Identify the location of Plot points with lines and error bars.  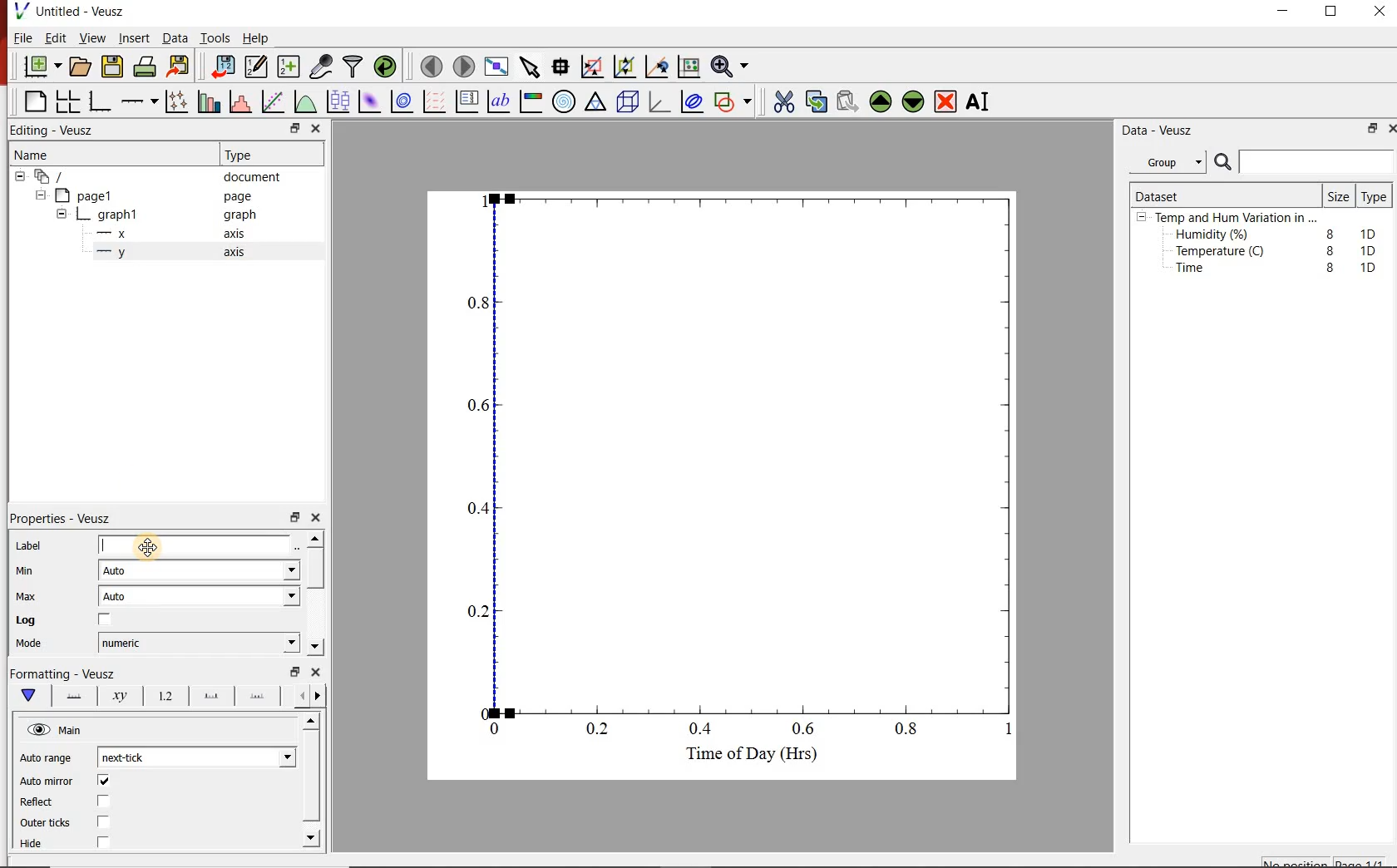
(176, 100).